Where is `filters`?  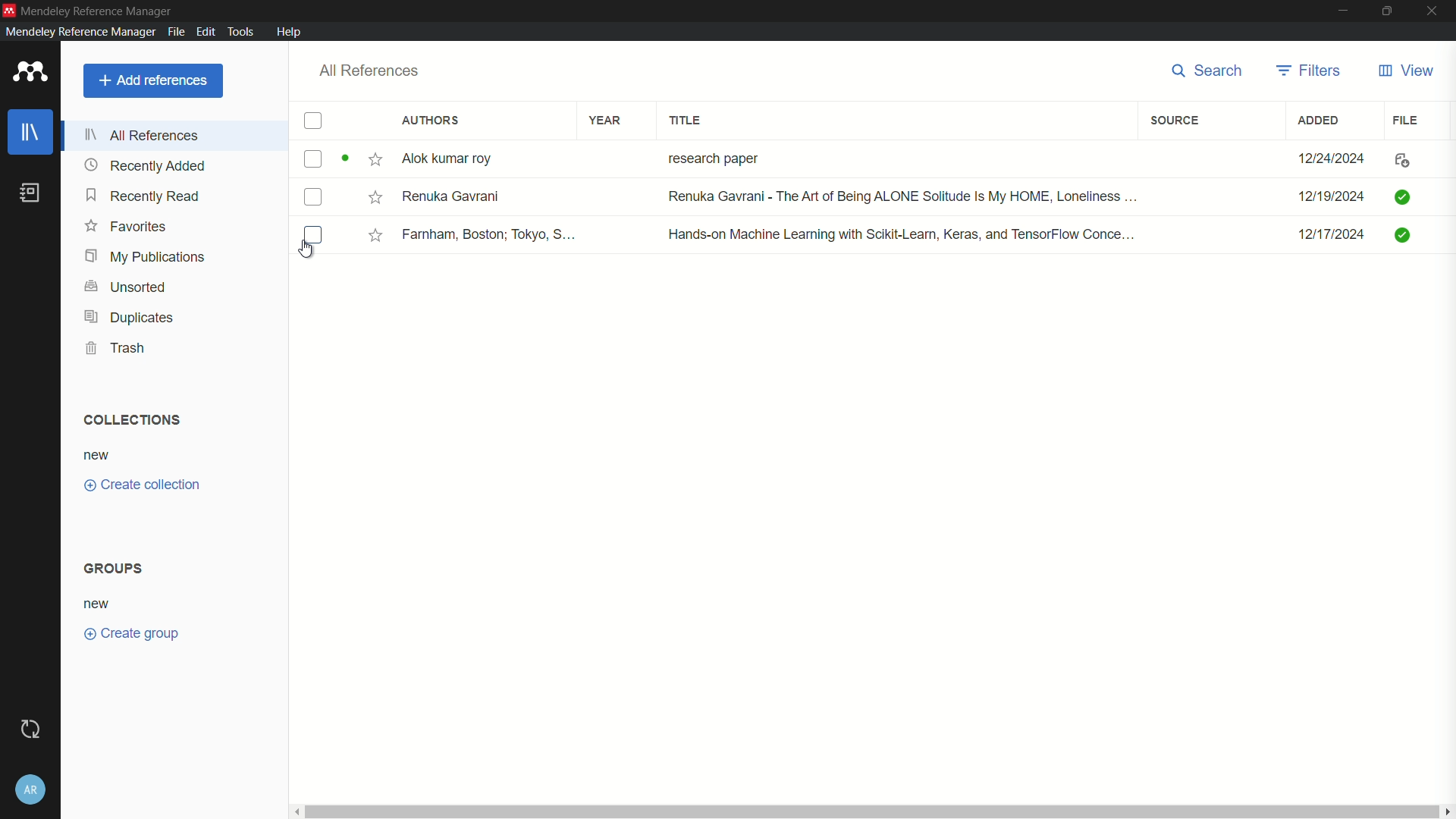 filters is located at coordinates (1307, 71).